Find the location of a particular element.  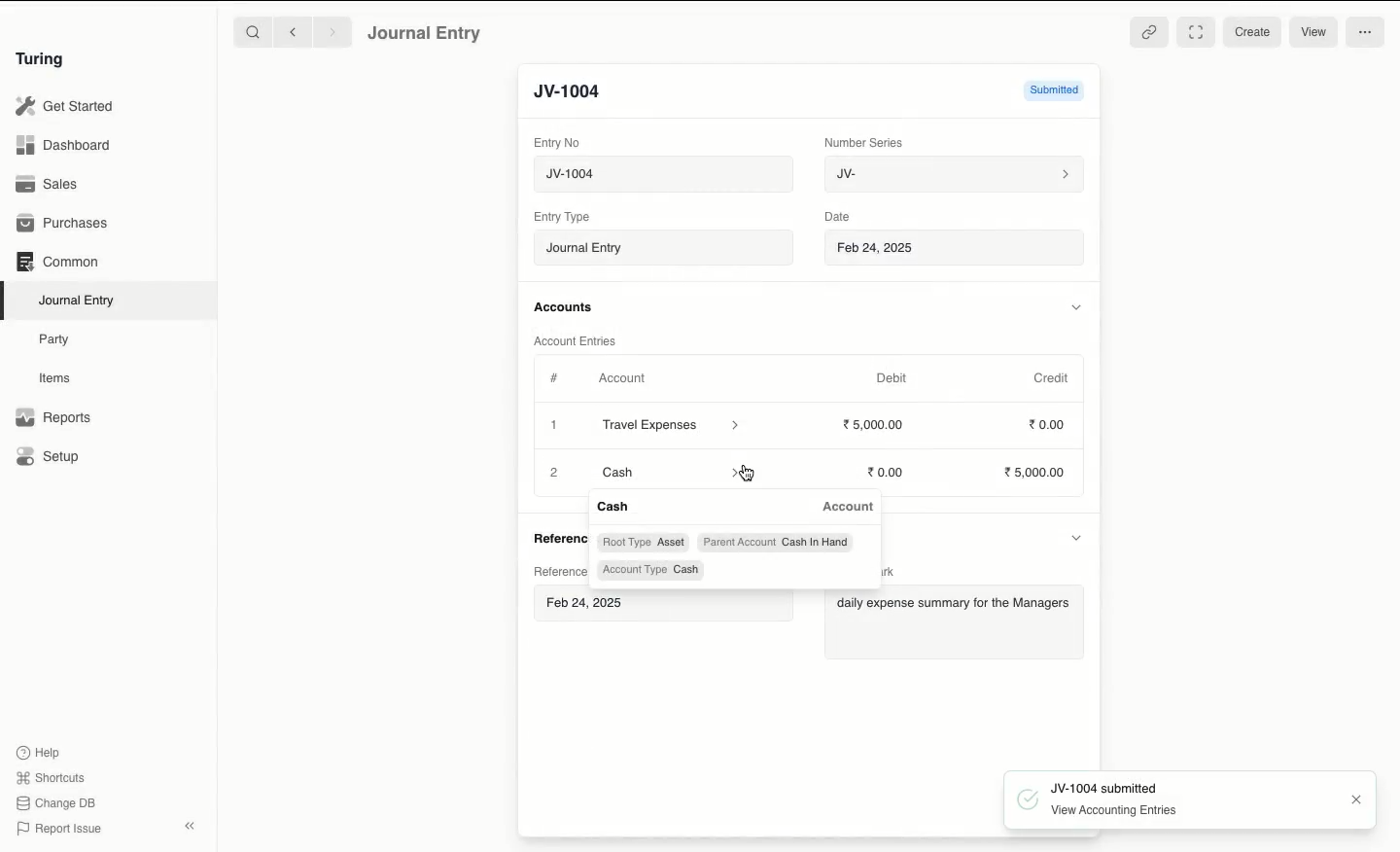

Cash is located at coordinates (617, 506).